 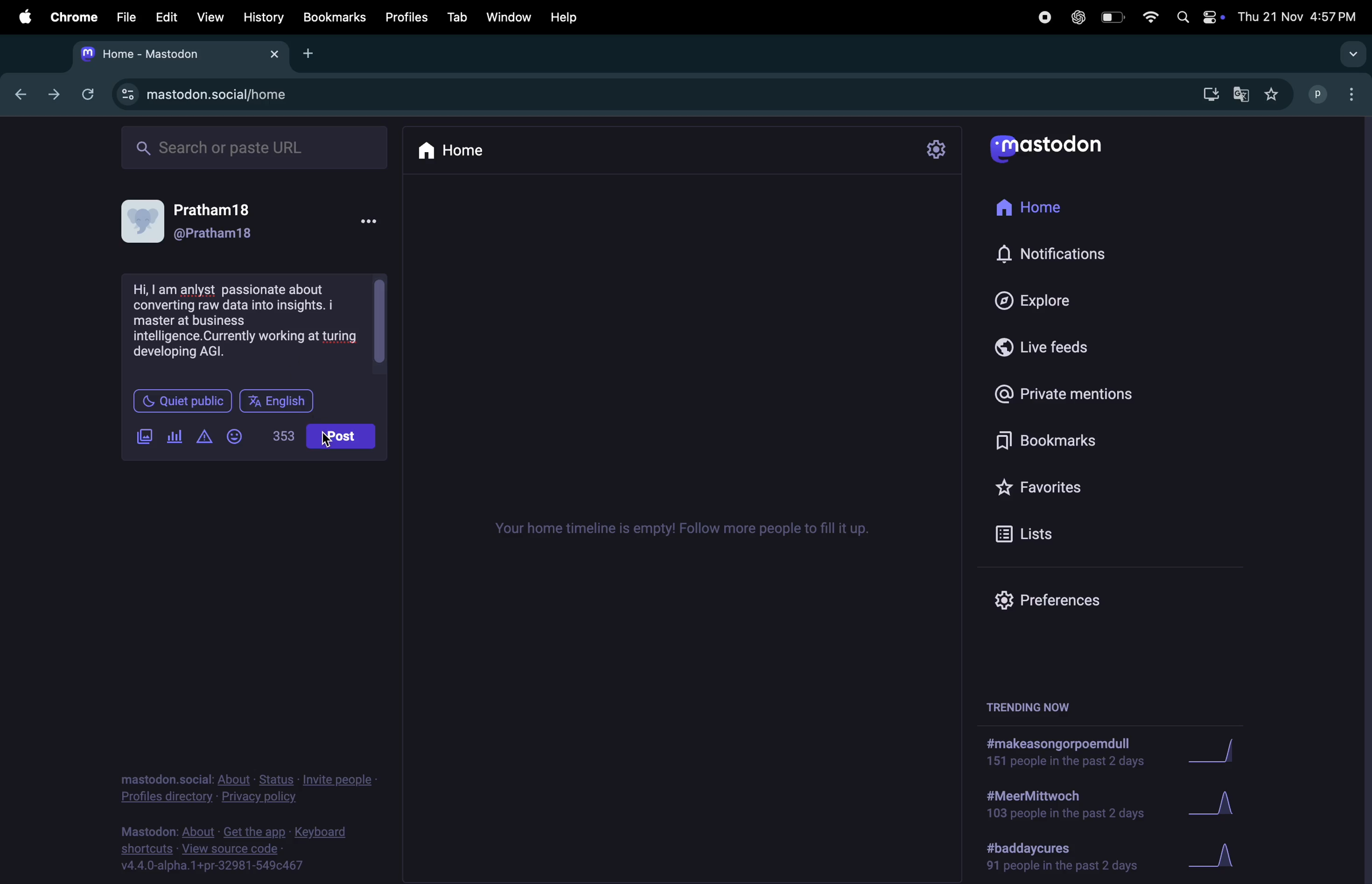 What do you see at coordinates (1066, 858) in the screenshot?
I see `hashtag` at bounding box center [1066, 858].